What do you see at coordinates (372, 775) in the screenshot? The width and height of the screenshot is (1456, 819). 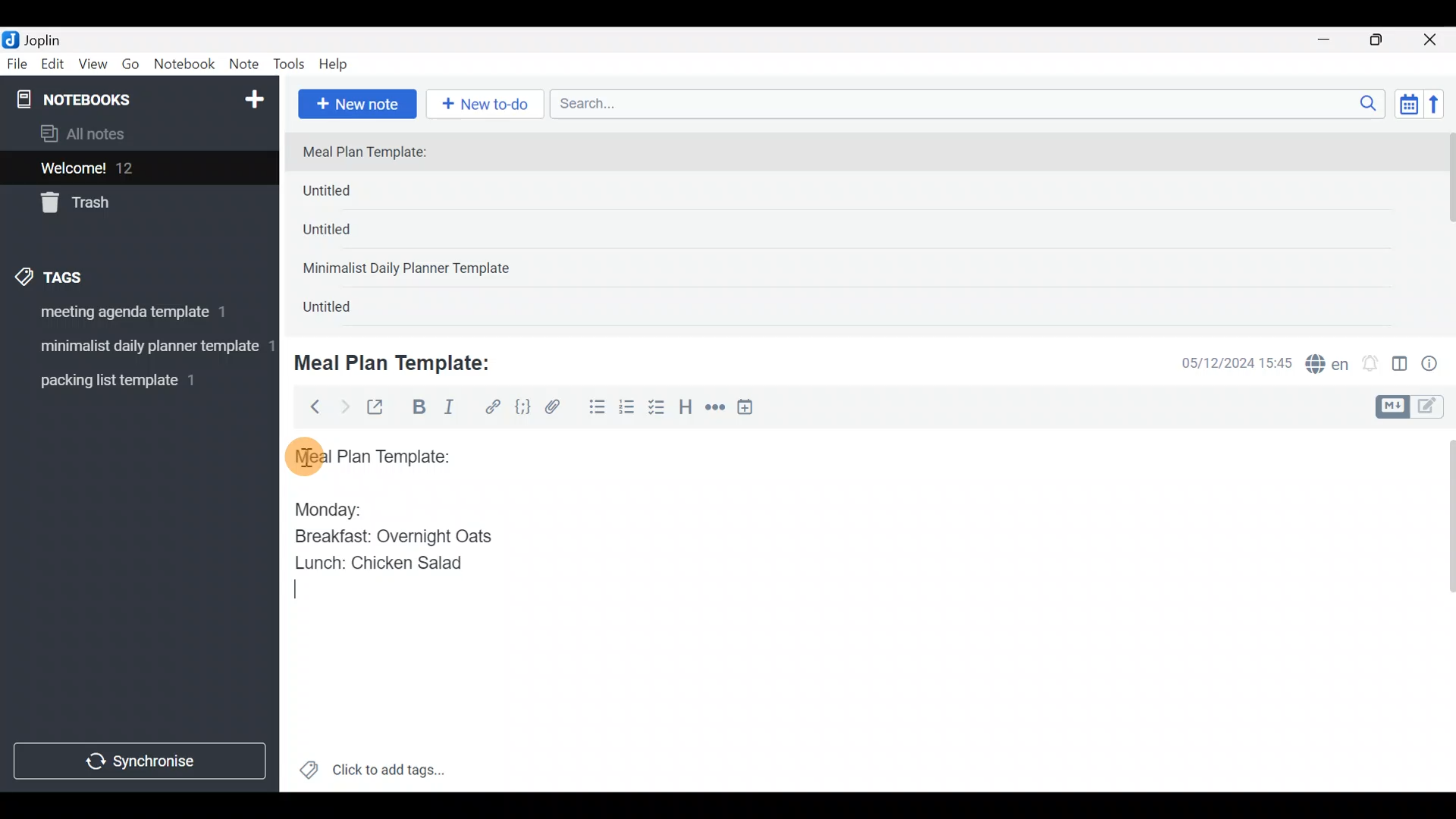 I see `Click to add tags` at bounding box center [372, 775].